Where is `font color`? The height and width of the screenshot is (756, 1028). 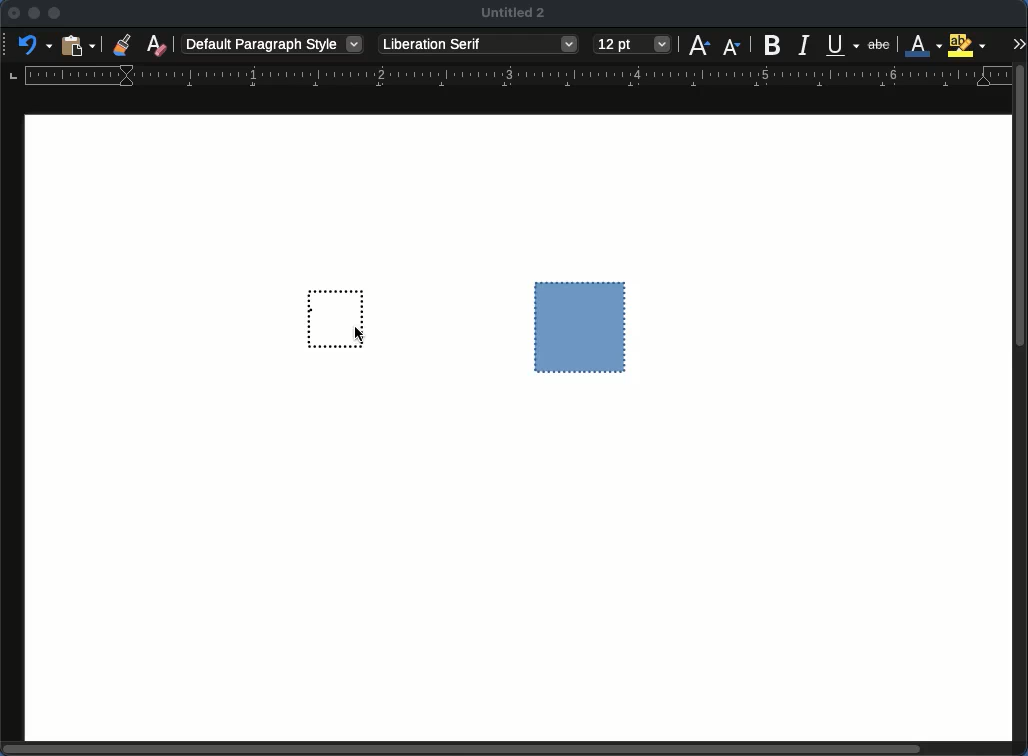 font color is located at coordinates (924, 45).